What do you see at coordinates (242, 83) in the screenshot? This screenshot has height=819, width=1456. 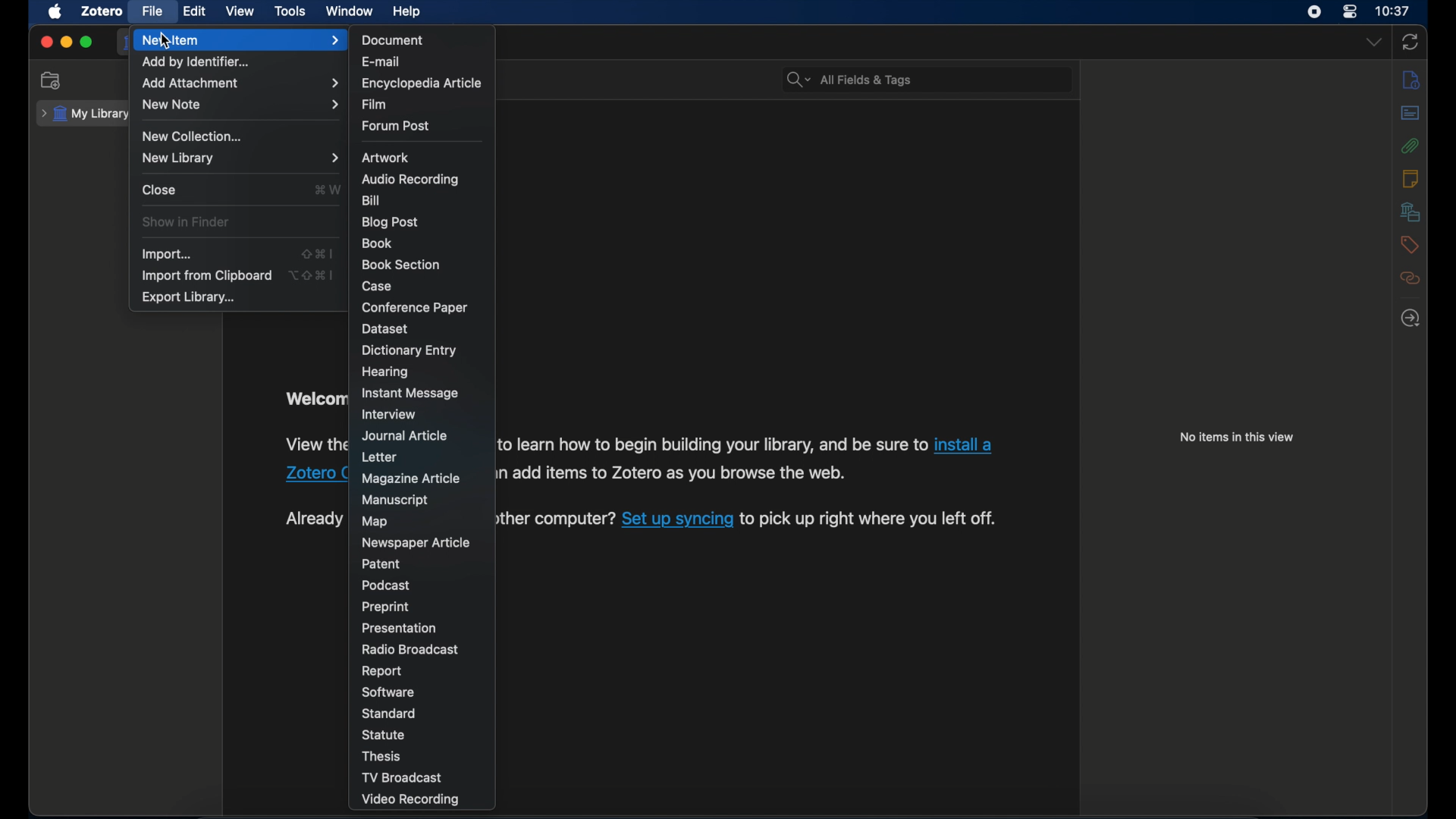 I see `add attachment` at bounding box center [242, 83].